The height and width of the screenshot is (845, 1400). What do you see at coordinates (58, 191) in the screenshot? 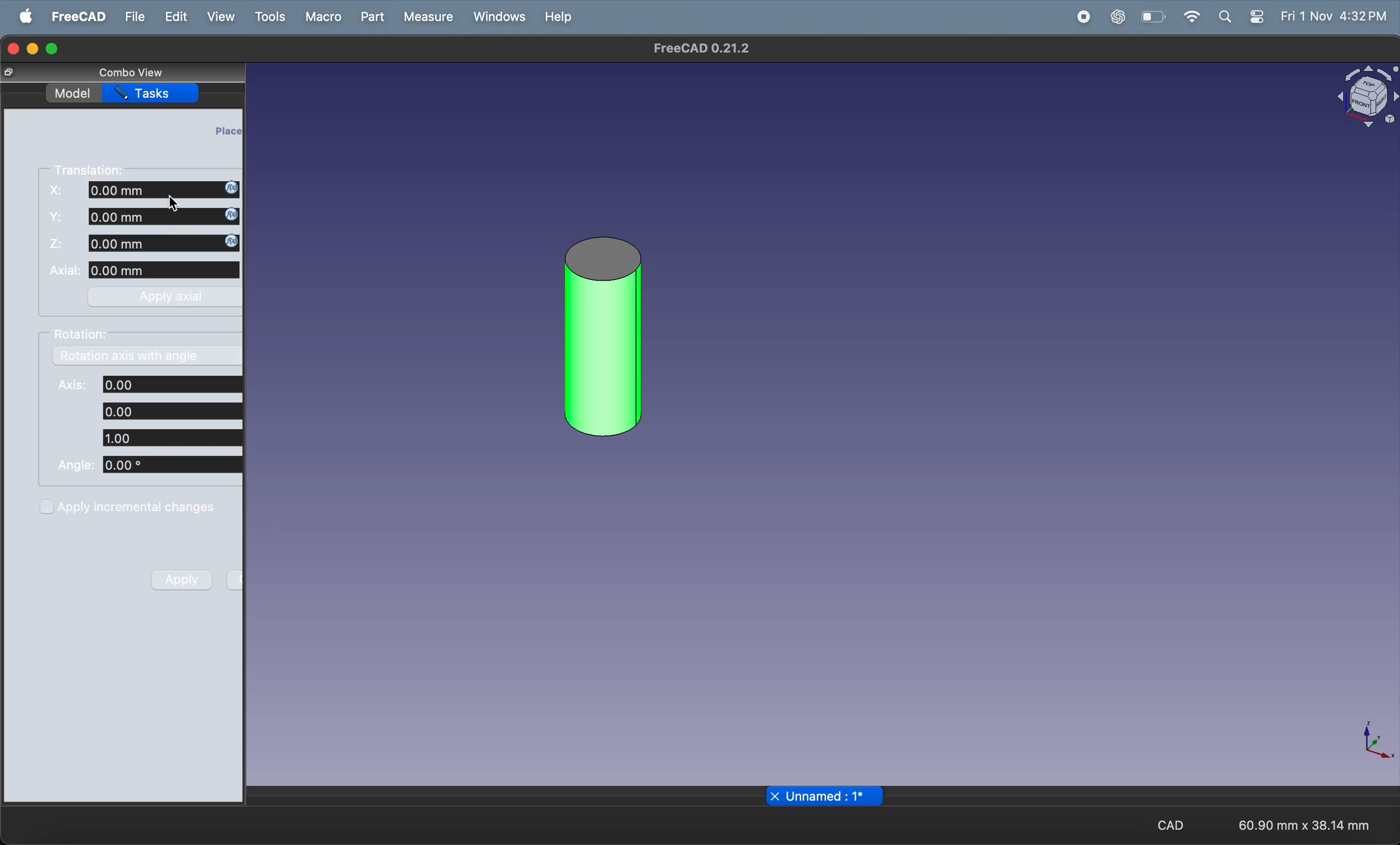
I see `X:` at bounding box center [58, 191].